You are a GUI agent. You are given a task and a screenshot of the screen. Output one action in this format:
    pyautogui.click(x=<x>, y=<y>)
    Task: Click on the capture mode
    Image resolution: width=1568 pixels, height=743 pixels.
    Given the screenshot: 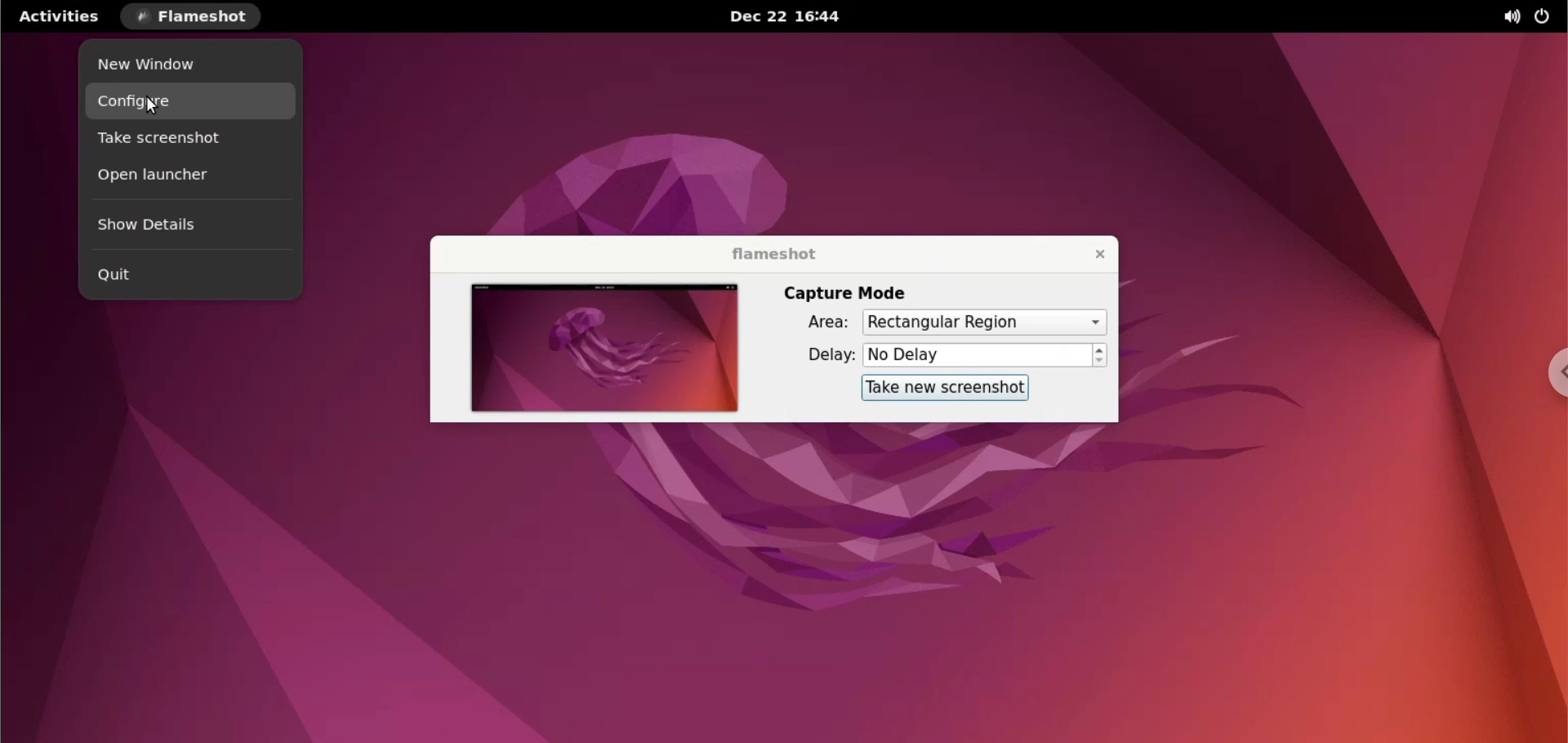 What is the action you would take?
    pyautogui.click(x=853, y=293)
    